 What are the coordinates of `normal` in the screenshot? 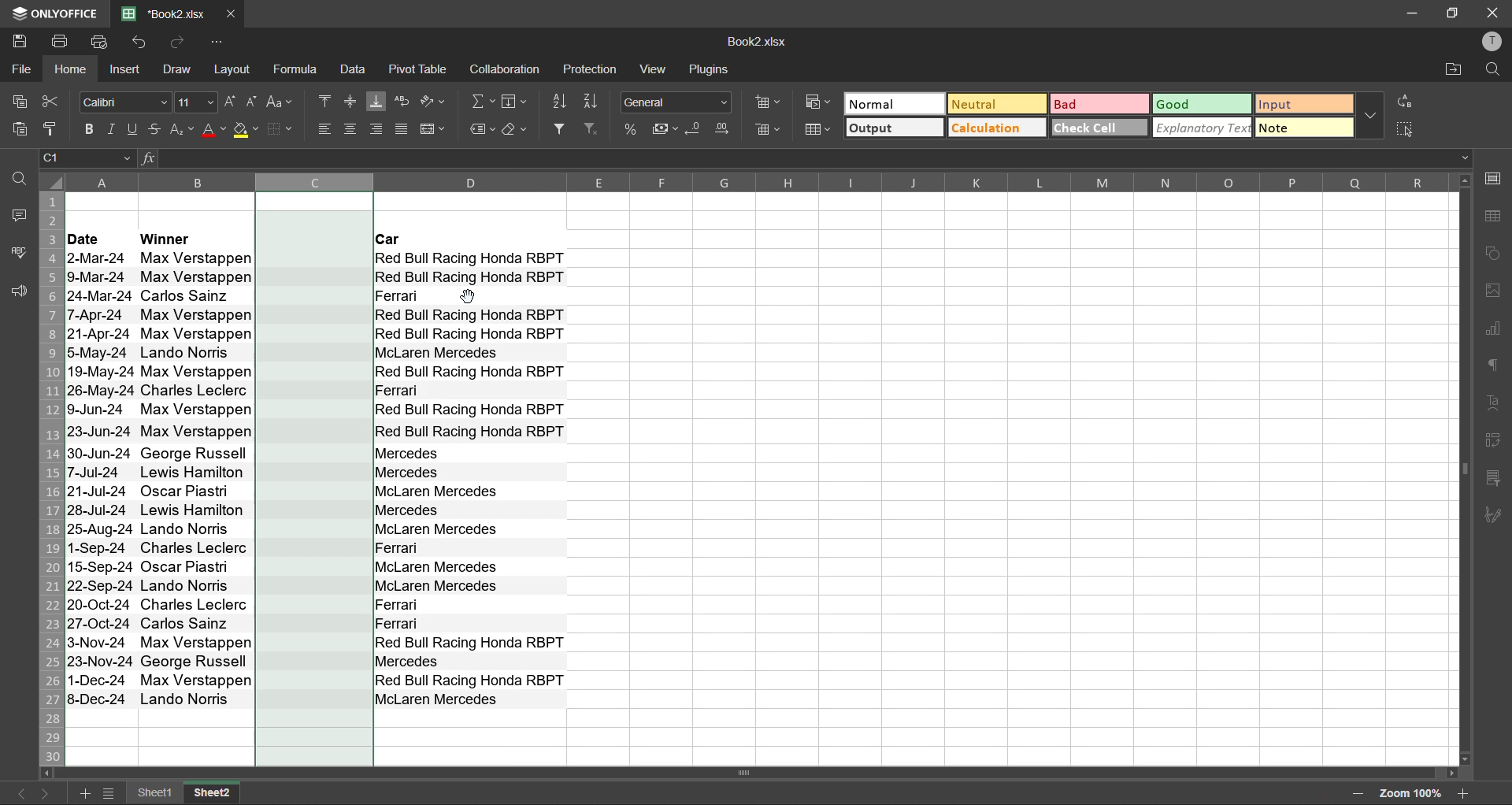 It's located at (895, 103).